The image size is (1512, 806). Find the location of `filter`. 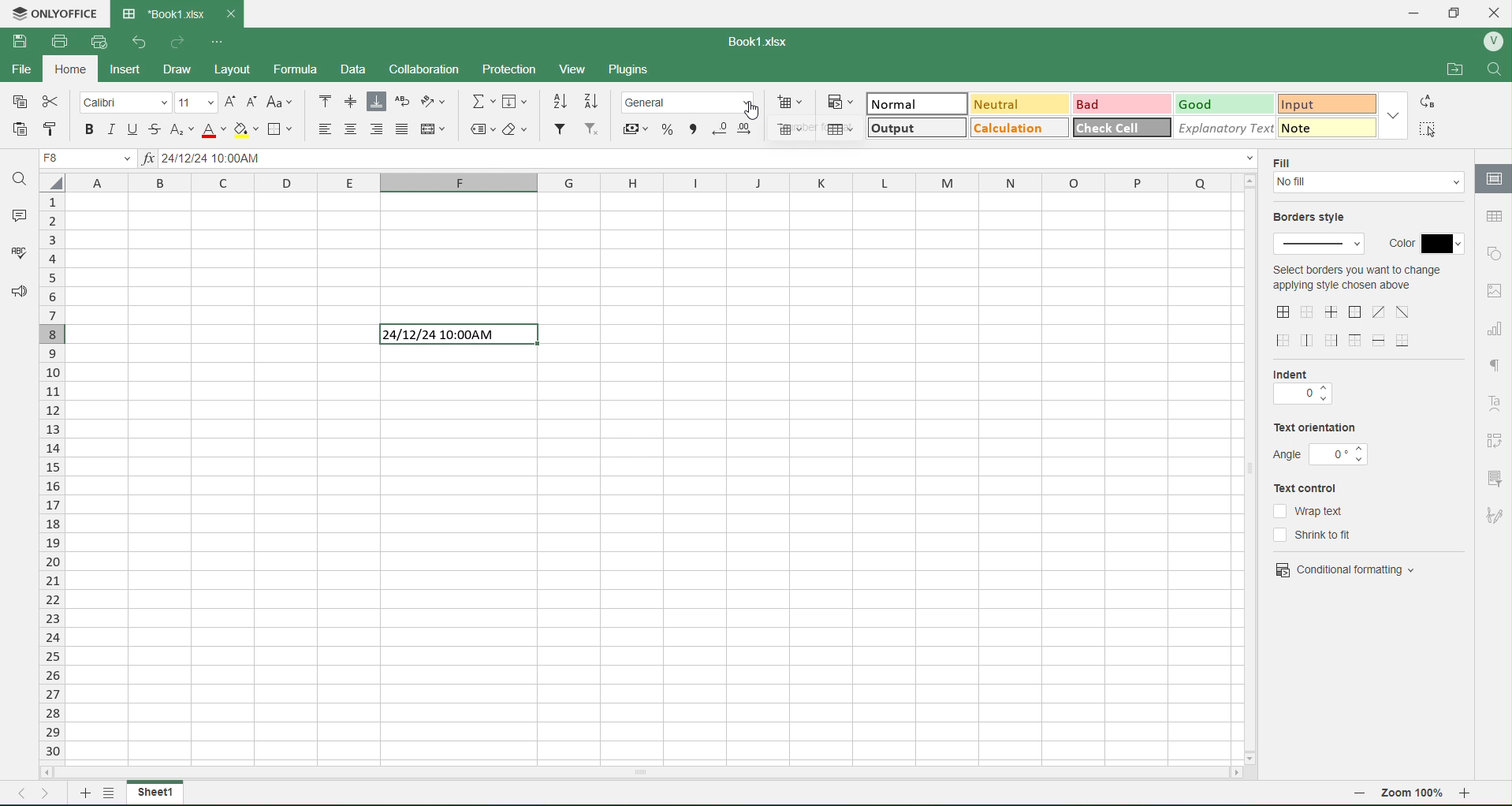

filter is located at coordinates (1493, 477).